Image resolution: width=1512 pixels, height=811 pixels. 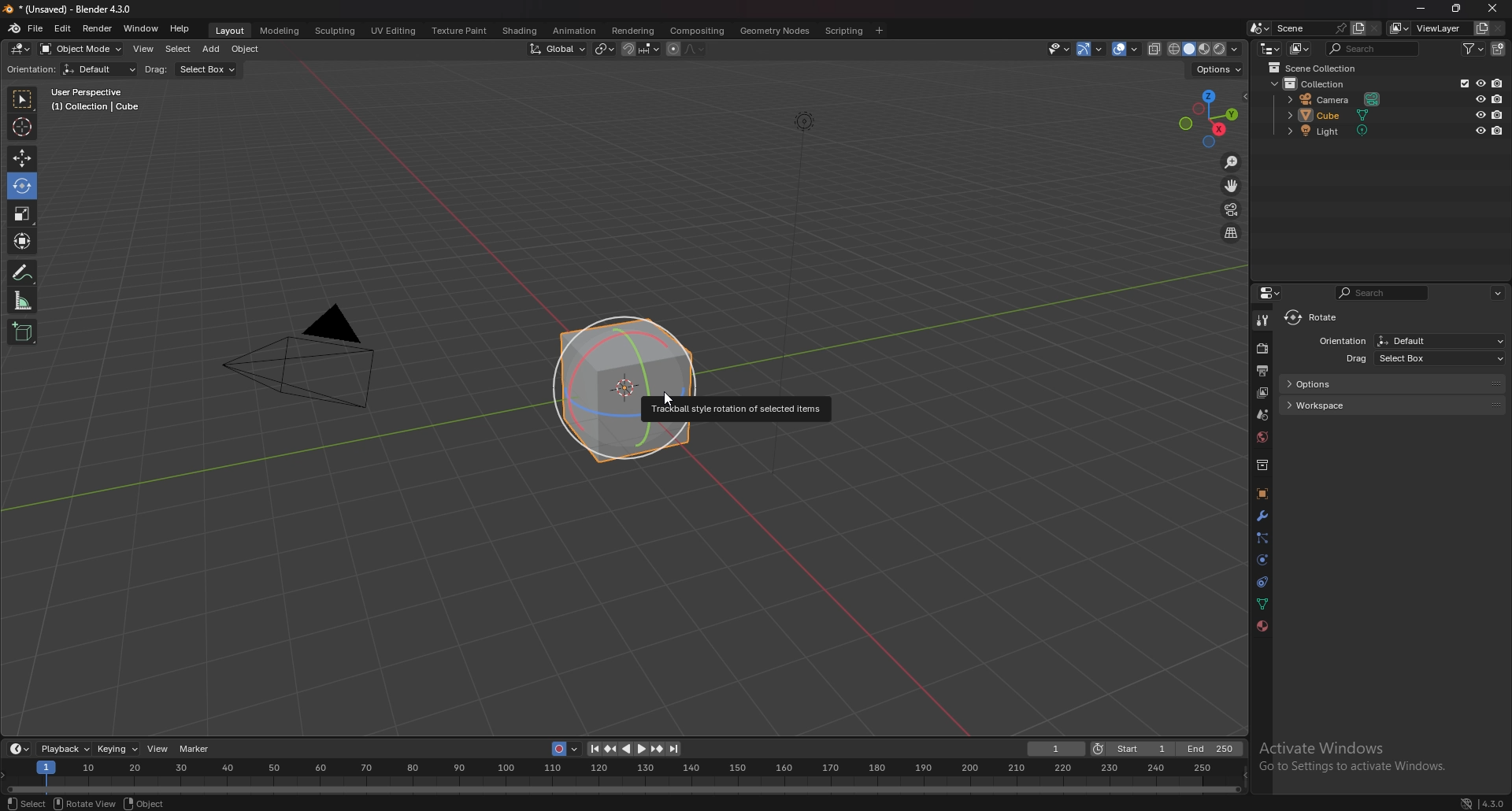 What do you see at coordinates (101, 71) in the screenshot?
I see `Default` at bounding box center [101, 71].